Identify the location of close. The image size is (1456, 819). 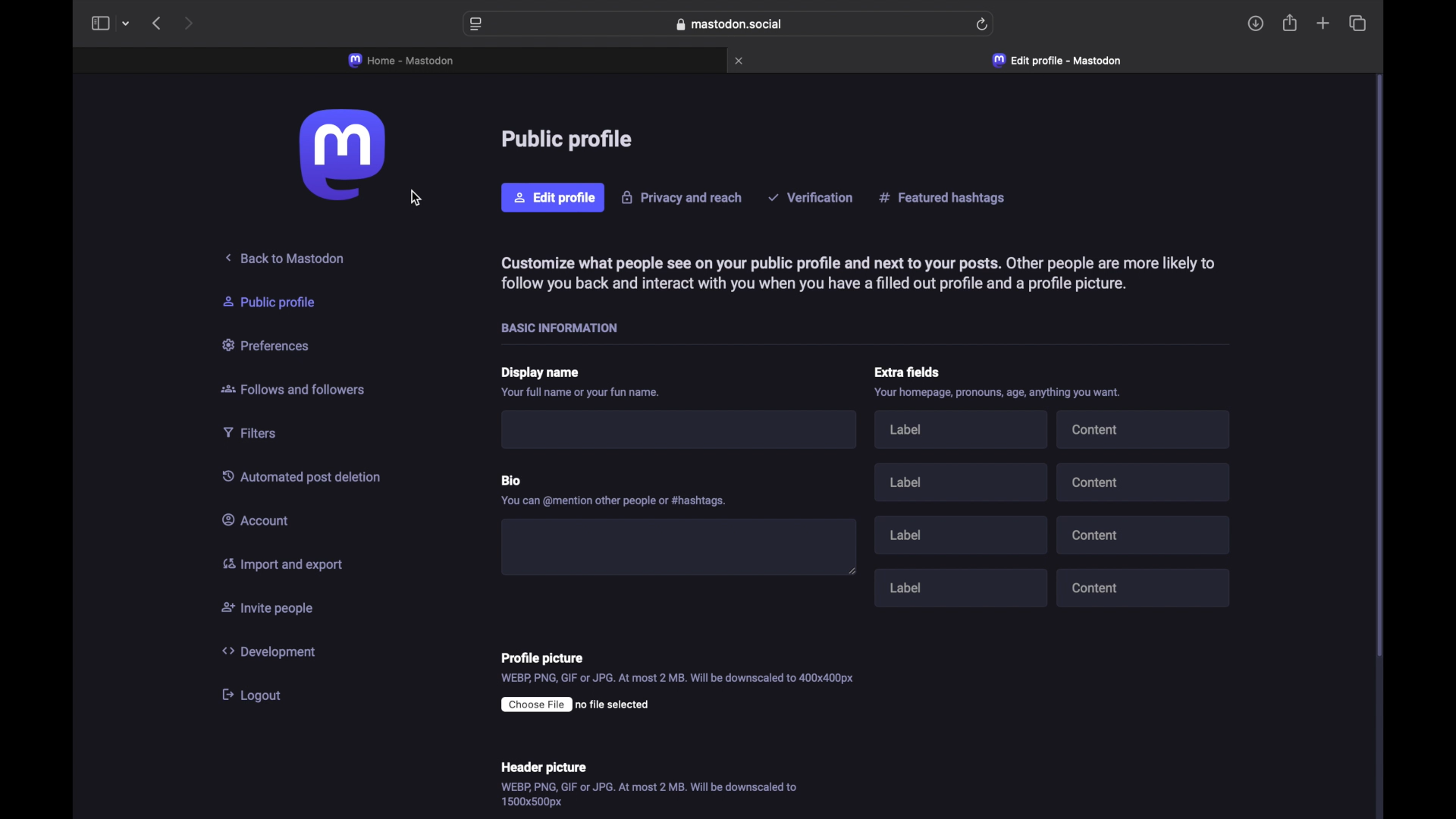
(741, 61).